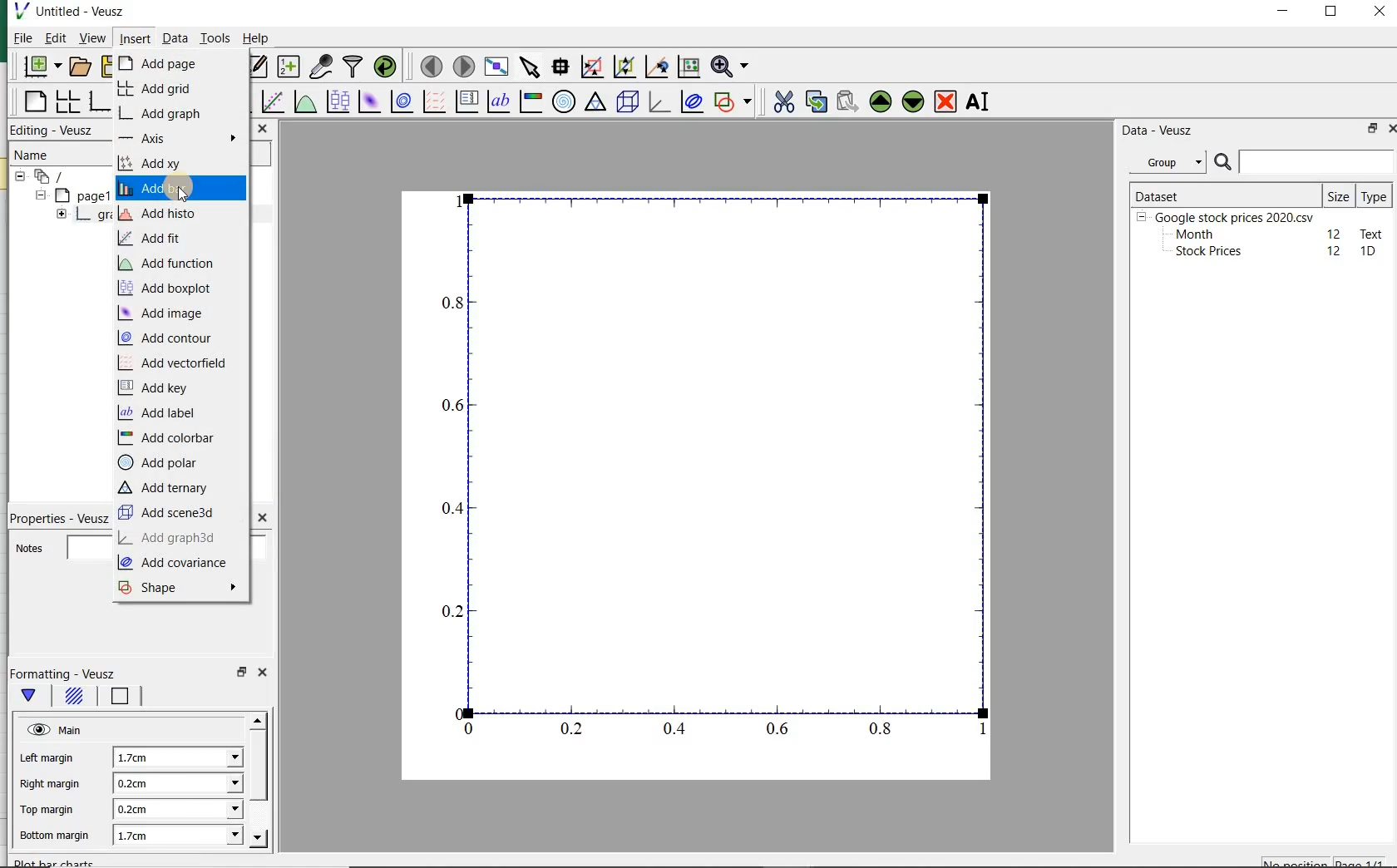  I want to click on add fit, so click(159, 238).